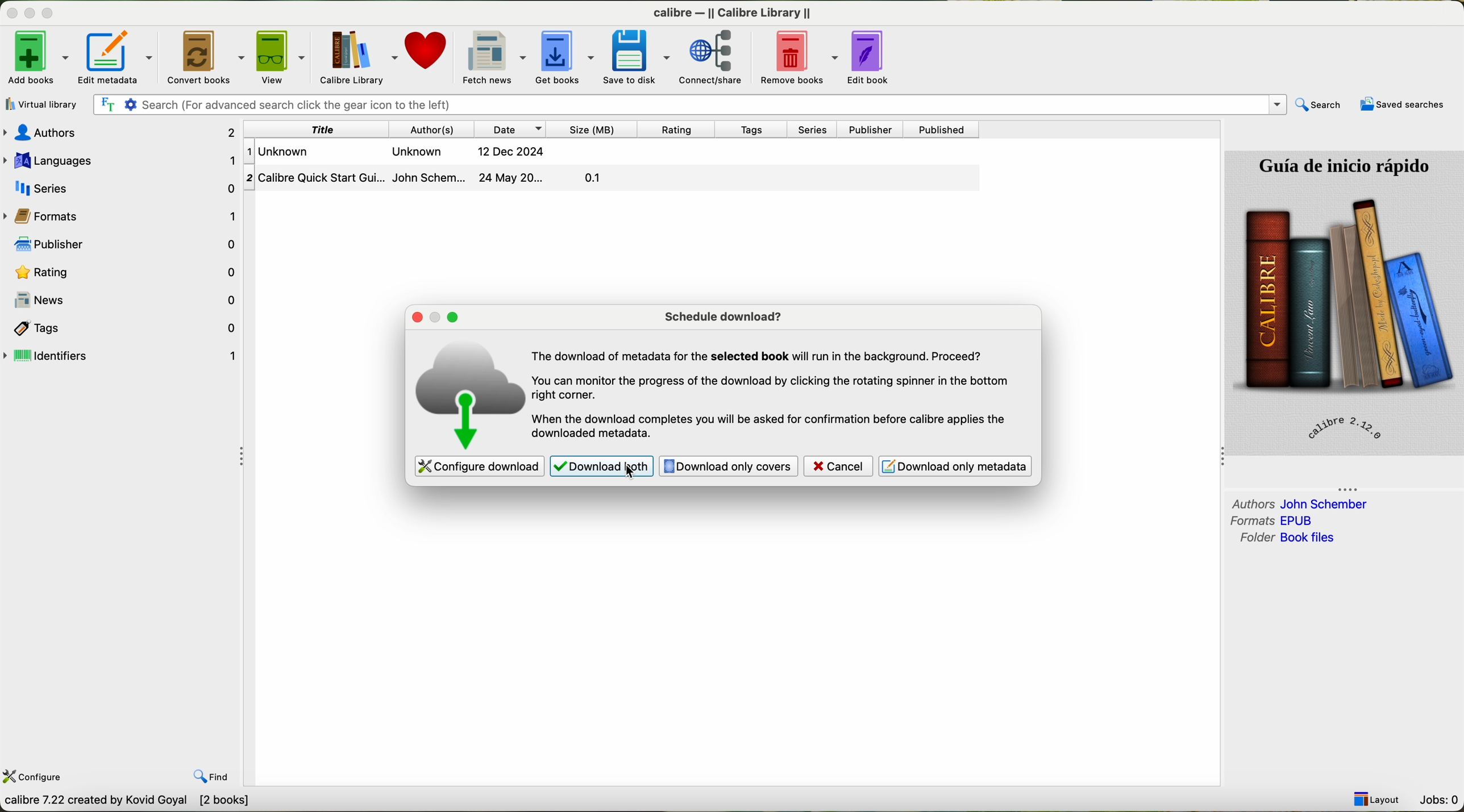 The image size is (1464, 812). What do you see at coordinates (128, 274) in the screenshot?
I see `Rating` at bounding box center [128, 274].